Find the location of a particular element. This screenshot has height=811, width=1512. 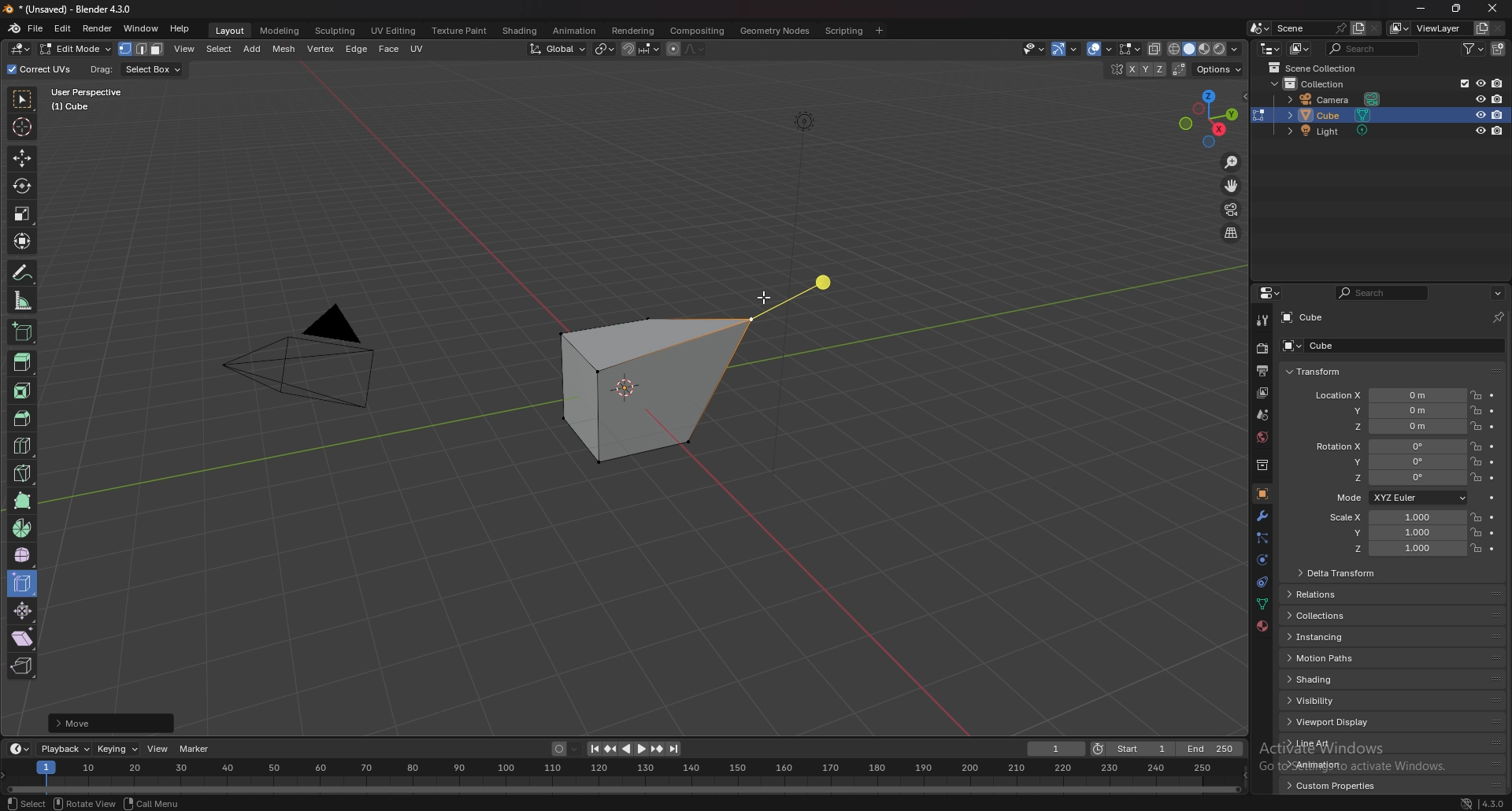

delete scene is located at coordinates (1375, 29).